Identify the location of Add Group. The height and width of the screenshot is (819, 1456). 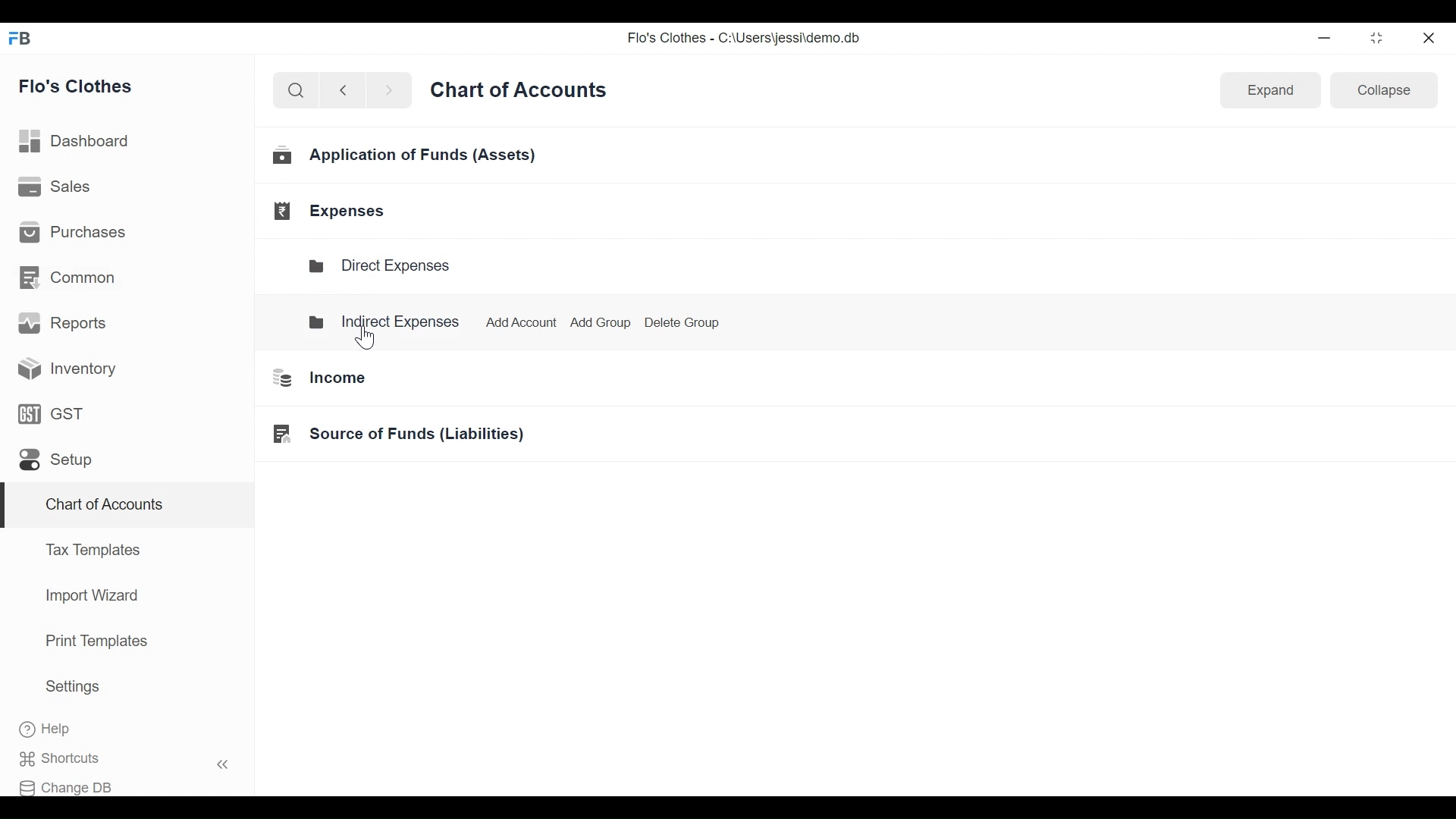
(598, 323).